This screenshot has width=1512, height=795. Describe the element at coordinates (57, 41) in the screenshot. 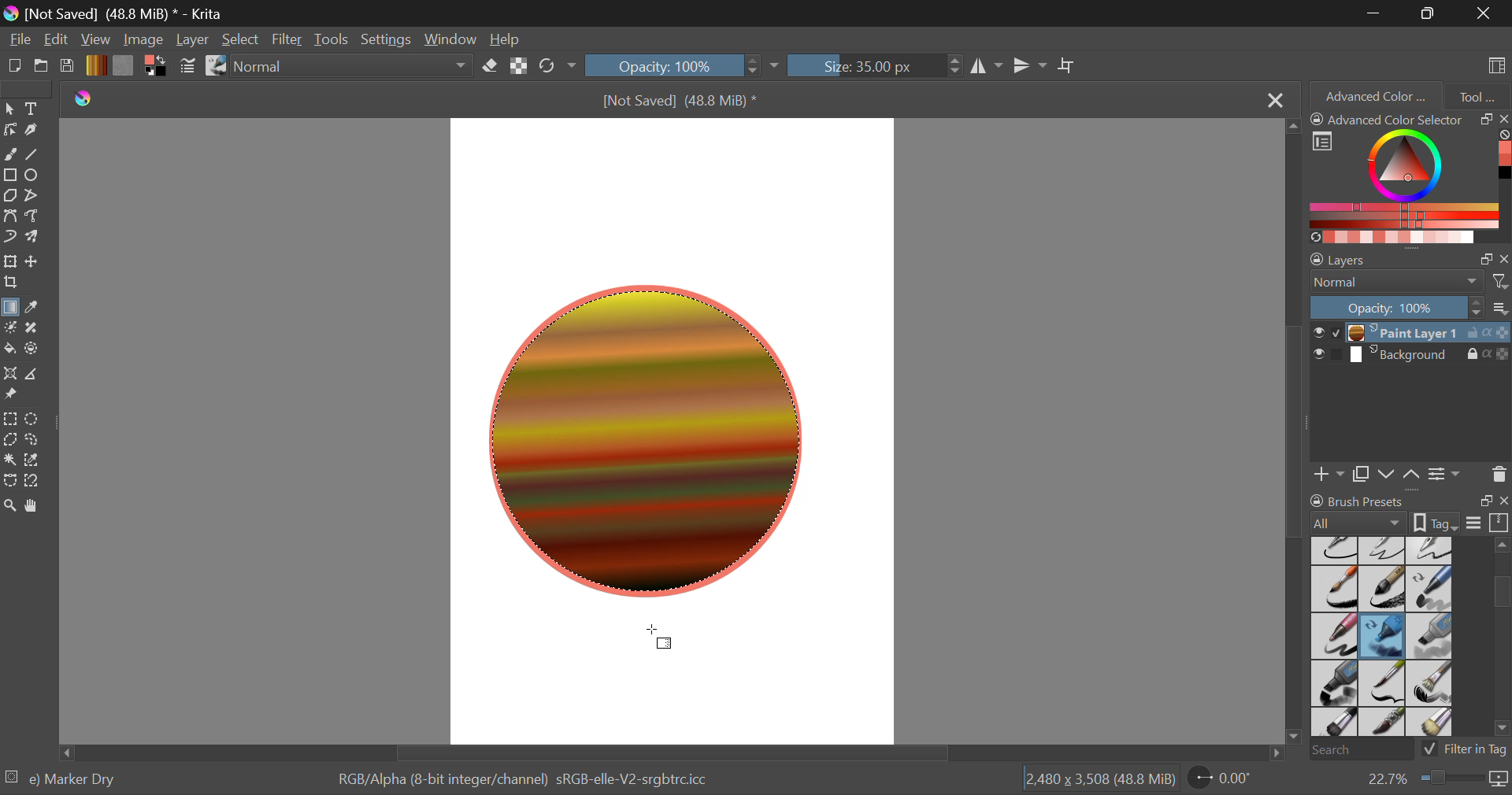

I see `` at that location.